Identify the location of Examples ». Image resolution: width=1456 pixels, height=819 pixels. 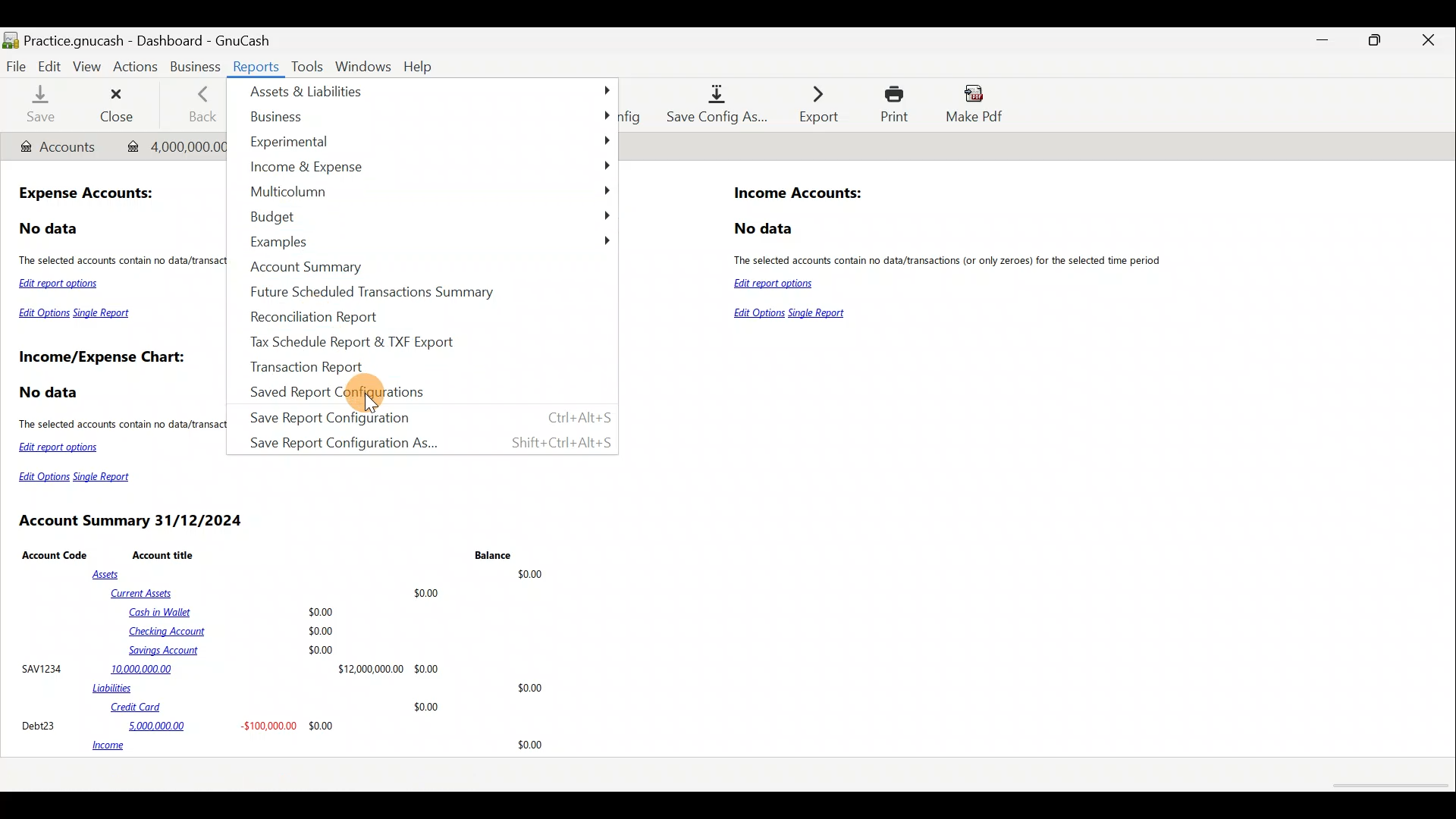
(428, 242).